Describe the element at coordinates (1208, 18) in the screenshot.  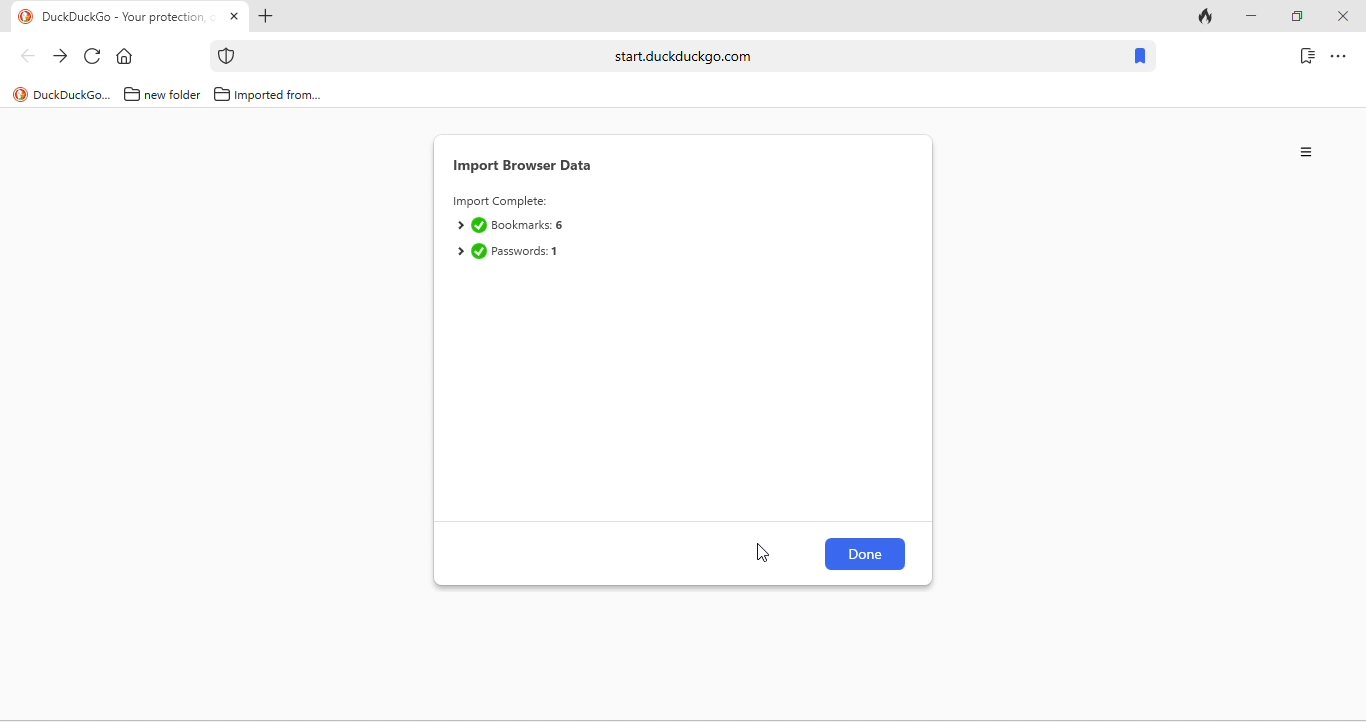
I see `track tab` at that location.